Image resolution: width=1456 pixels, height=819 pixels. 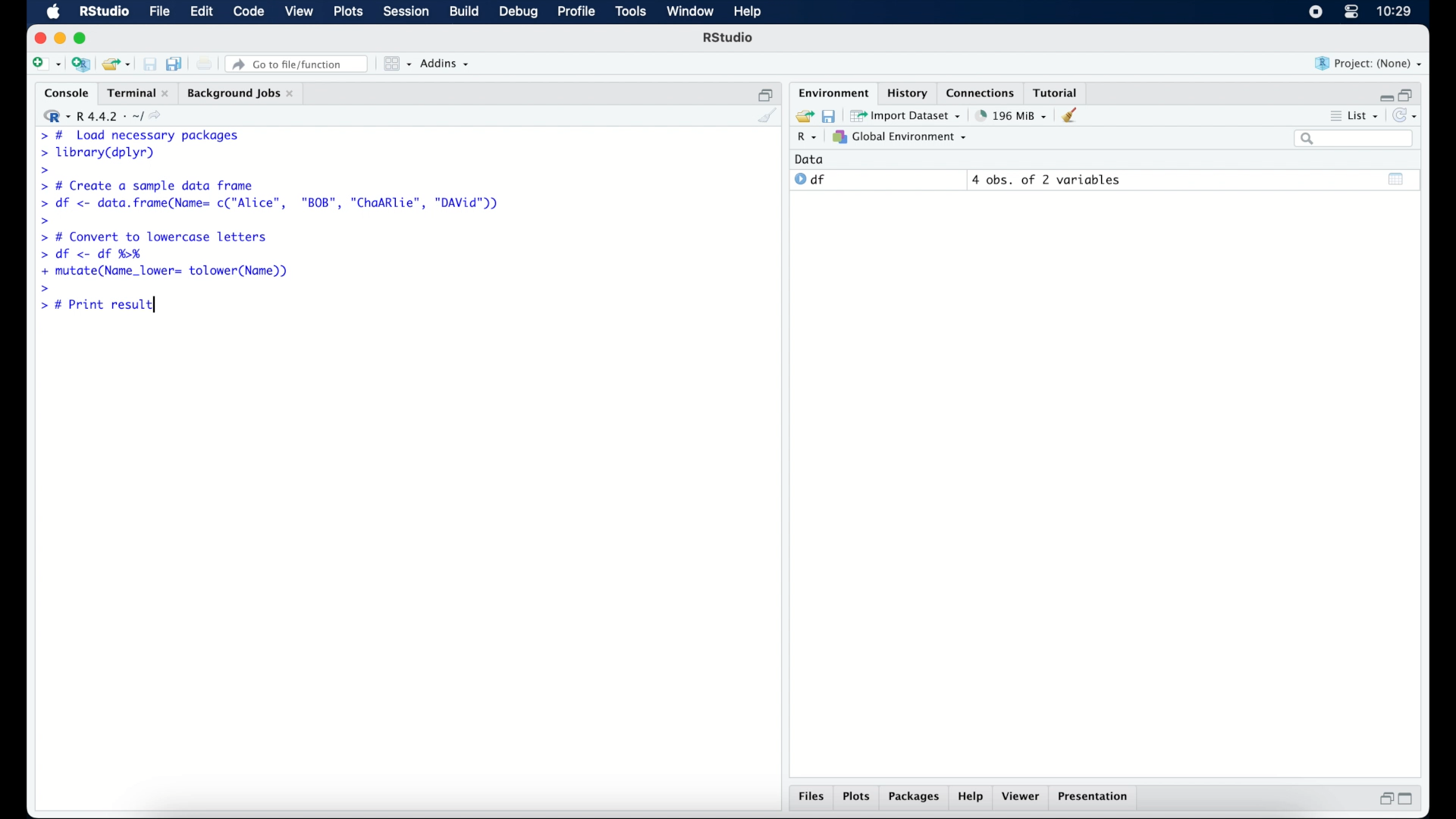 I want to click on clear workspace, so click(x=1075, y=116).